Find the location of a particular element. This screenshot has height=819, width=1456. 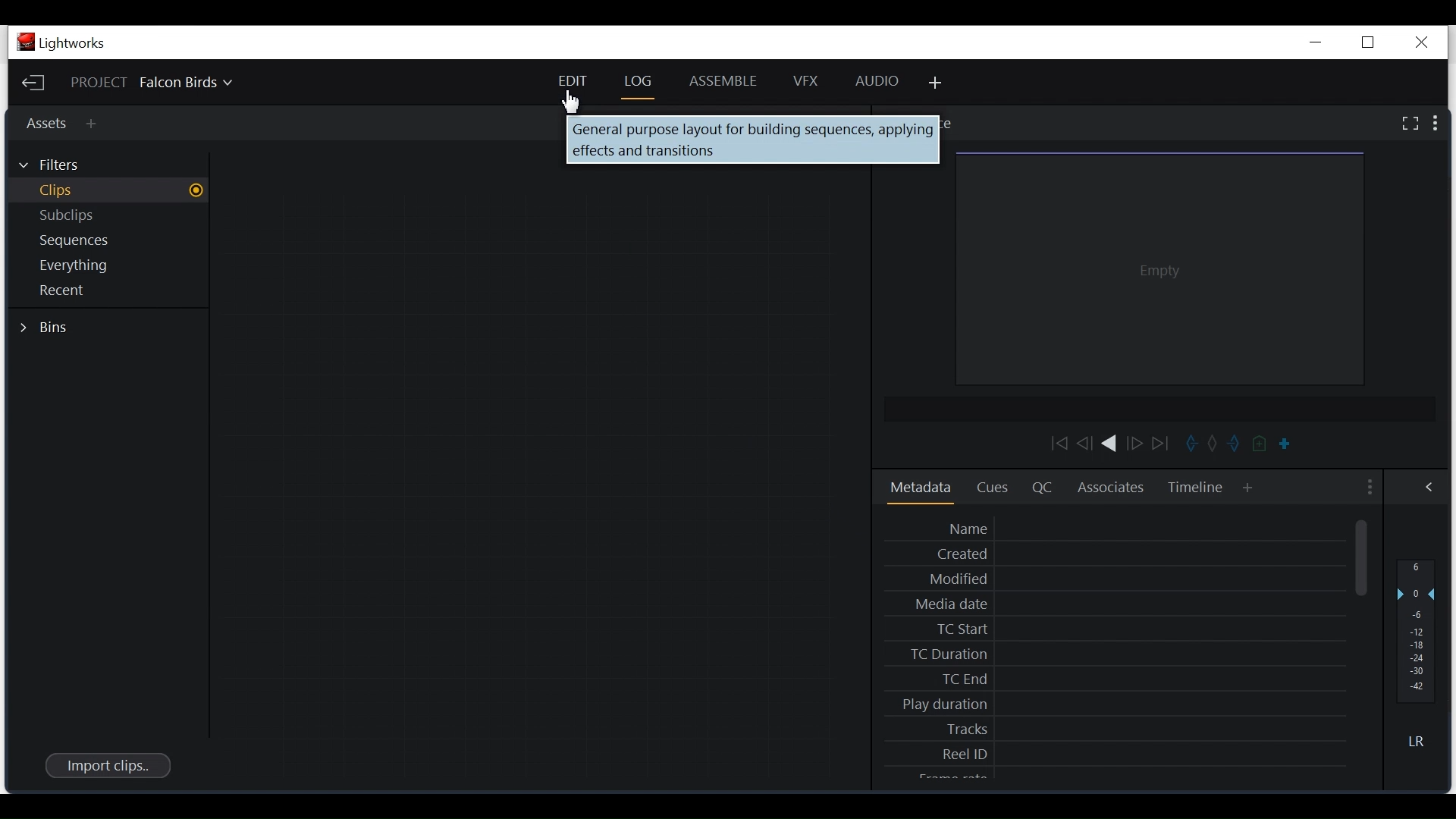

Tracks is located at coordinates (1121, 729).